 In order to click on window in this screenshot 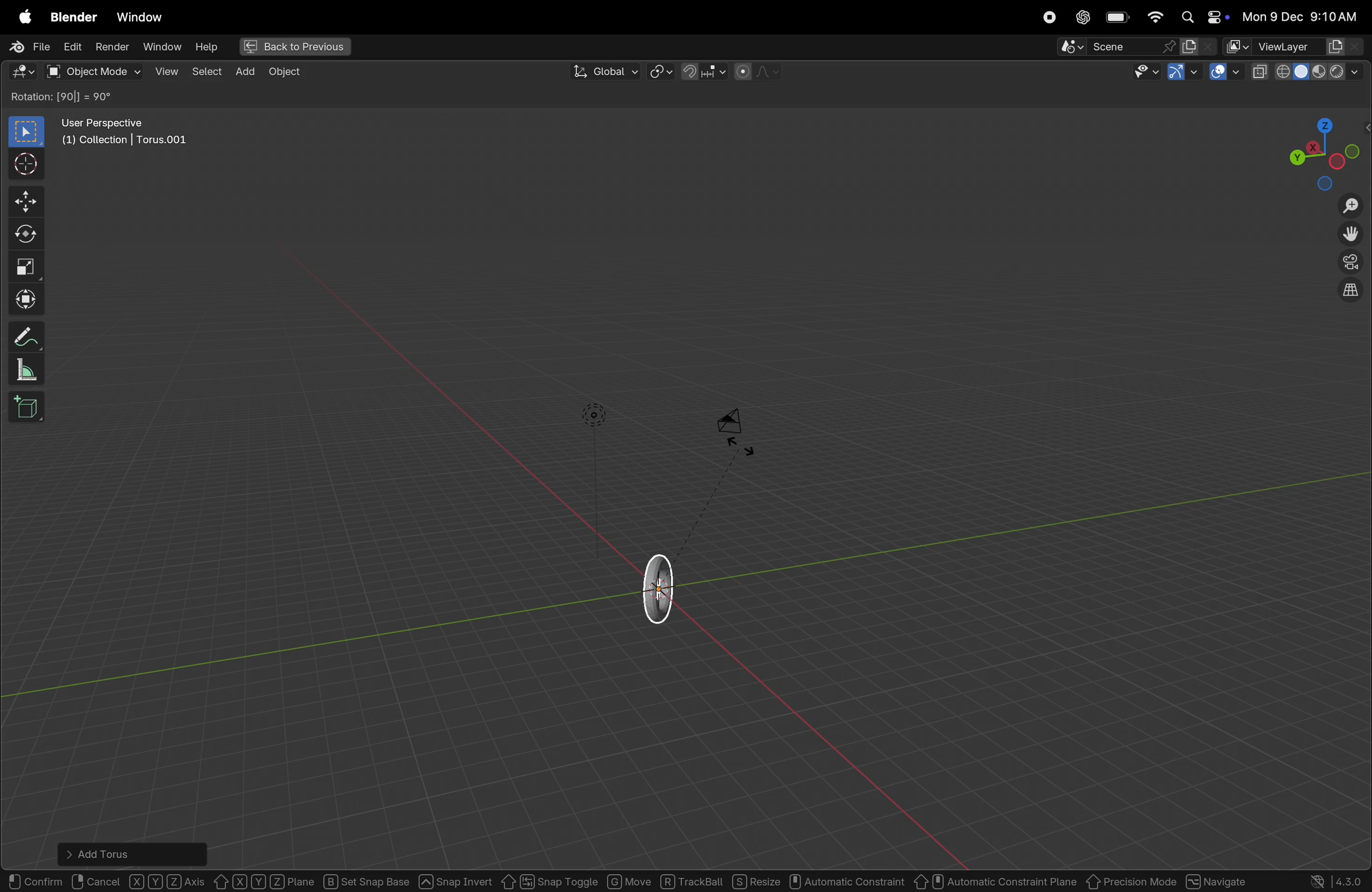, I will do `click(161, 47)`.